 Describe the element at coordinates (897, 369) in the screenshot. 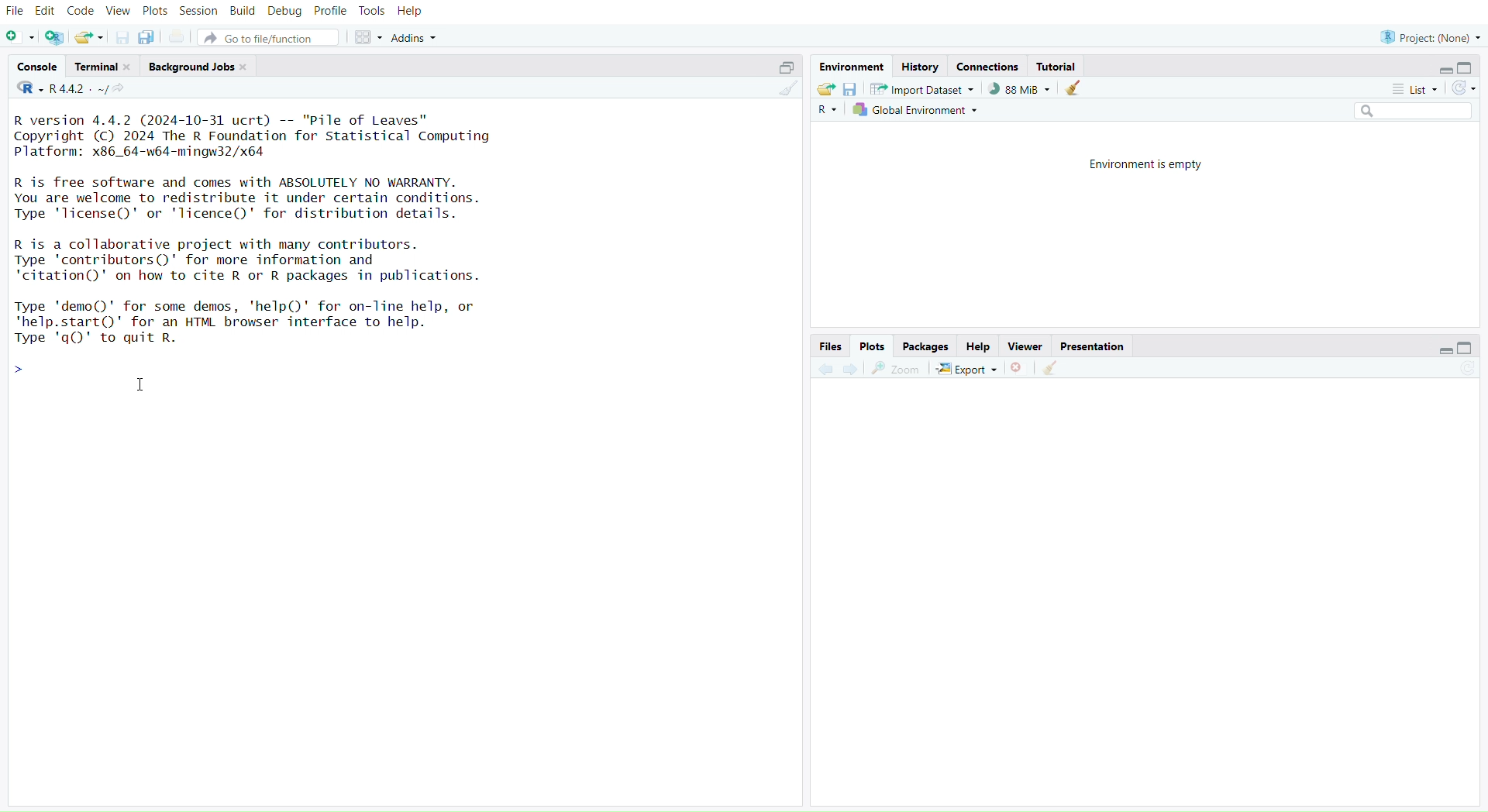

I see `zoom` at that location.